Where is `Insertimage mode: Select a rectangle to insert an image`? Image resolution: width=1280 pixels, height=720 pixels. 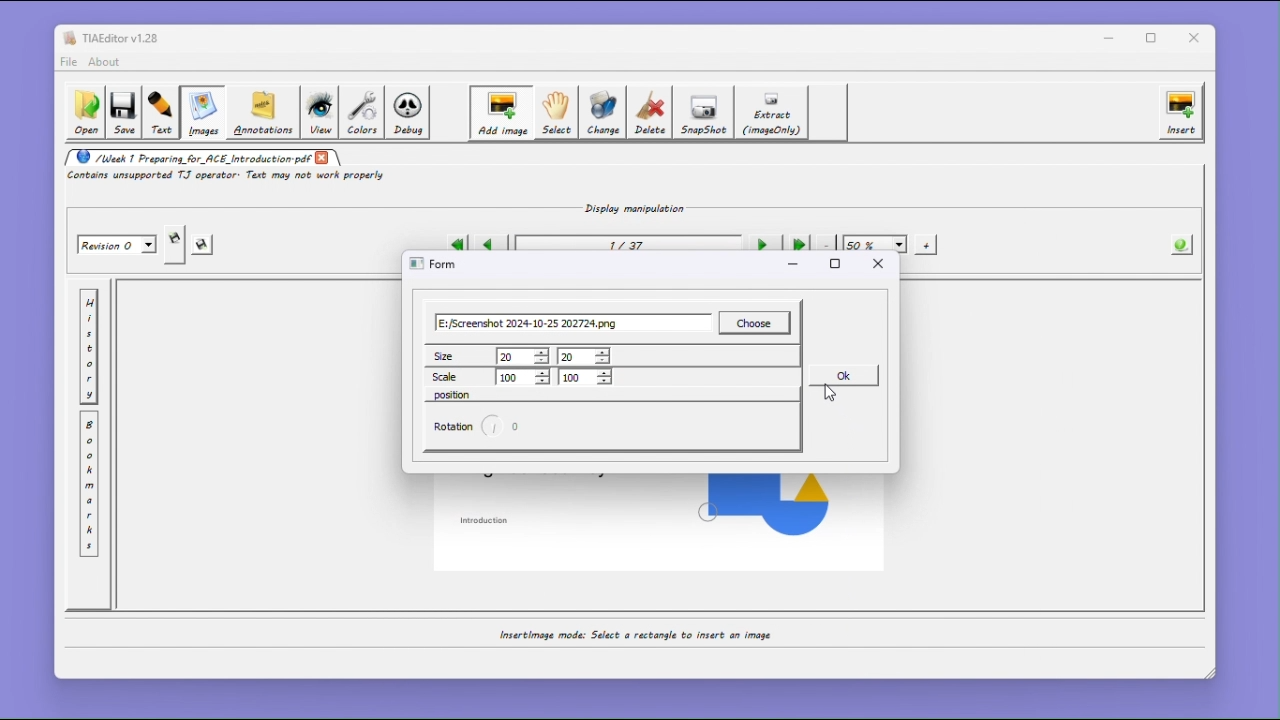
Insertimage mode: Select a rectangle to insert an image is located at coordinates (633, 635).